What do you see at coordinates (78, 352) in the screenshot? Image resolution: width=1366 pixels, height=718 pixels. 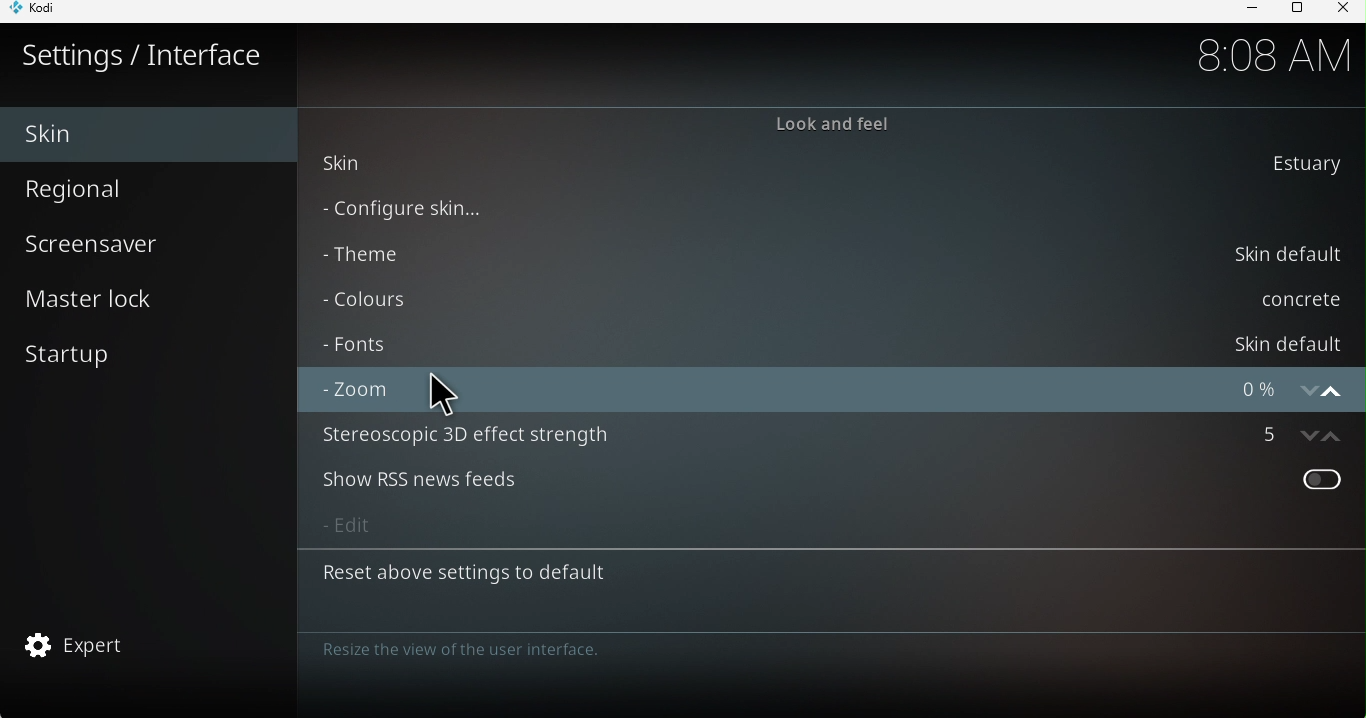 I see `Start up` at bounding box center [78, 352].